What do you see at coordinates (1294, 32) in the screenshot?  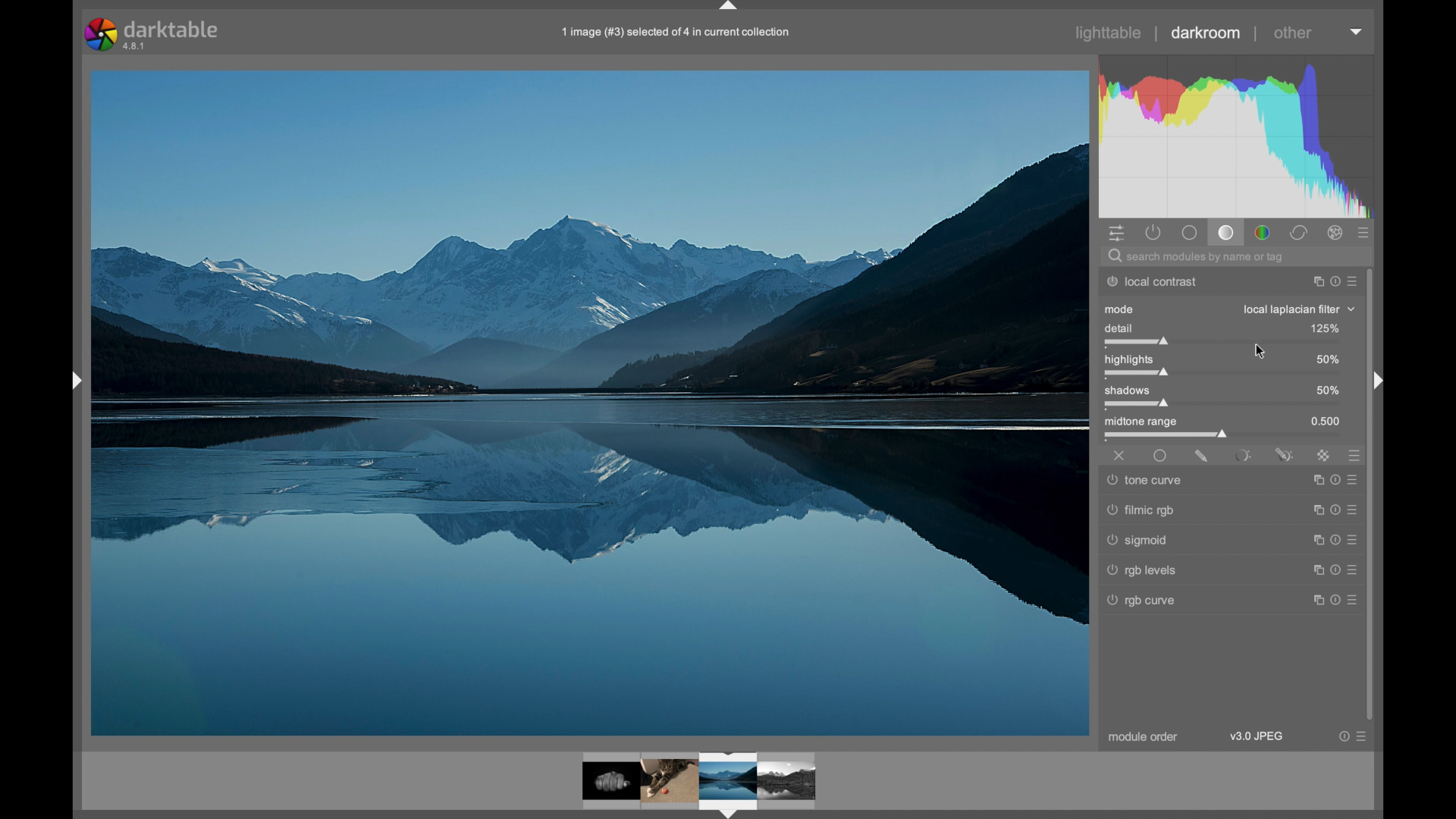 I see `other` at bounding box center [1294, 32].